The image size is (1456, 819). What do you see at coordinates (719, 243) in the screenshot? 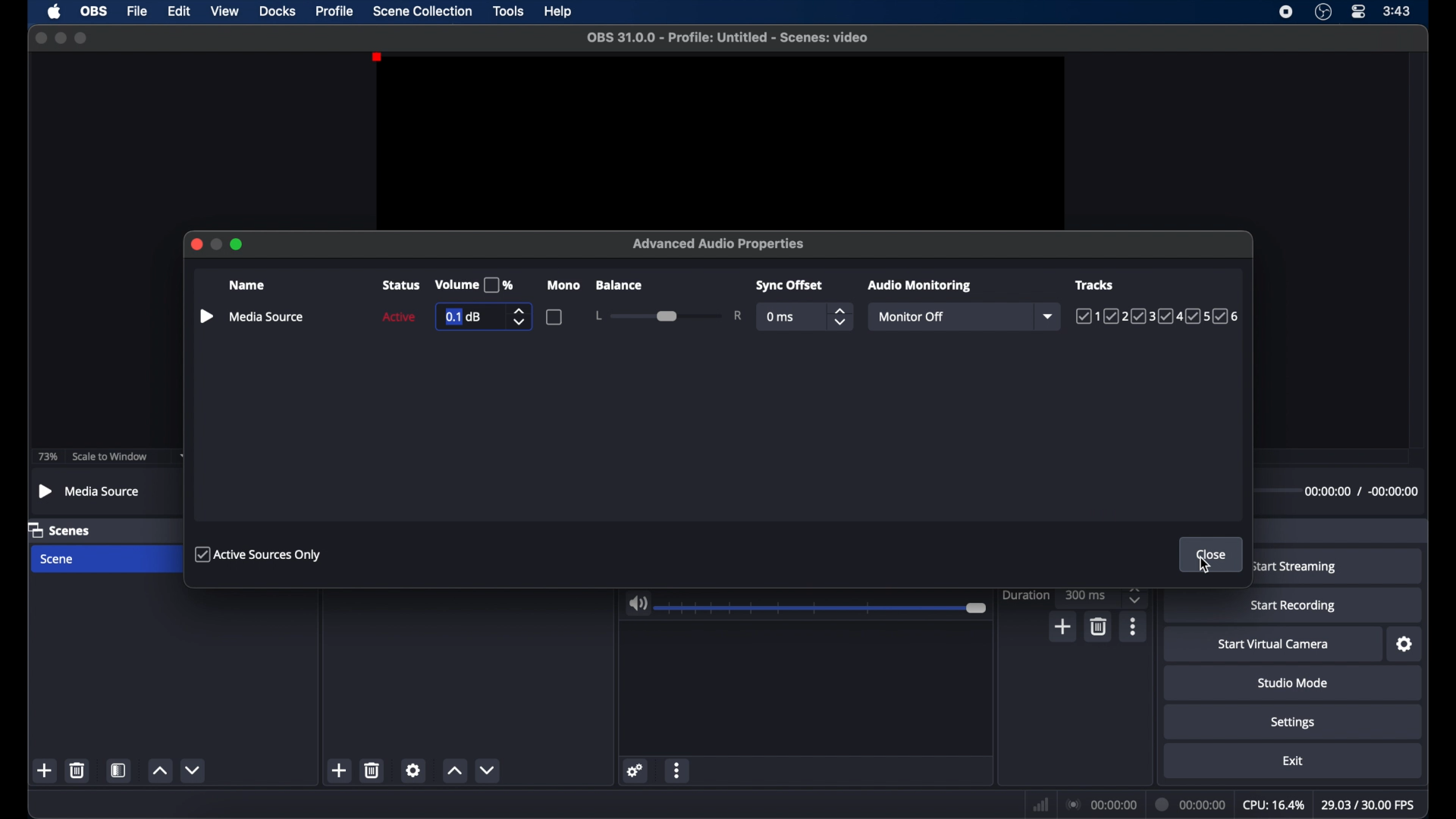
I see `advanced audio properties` at bounding box center [719, 243].